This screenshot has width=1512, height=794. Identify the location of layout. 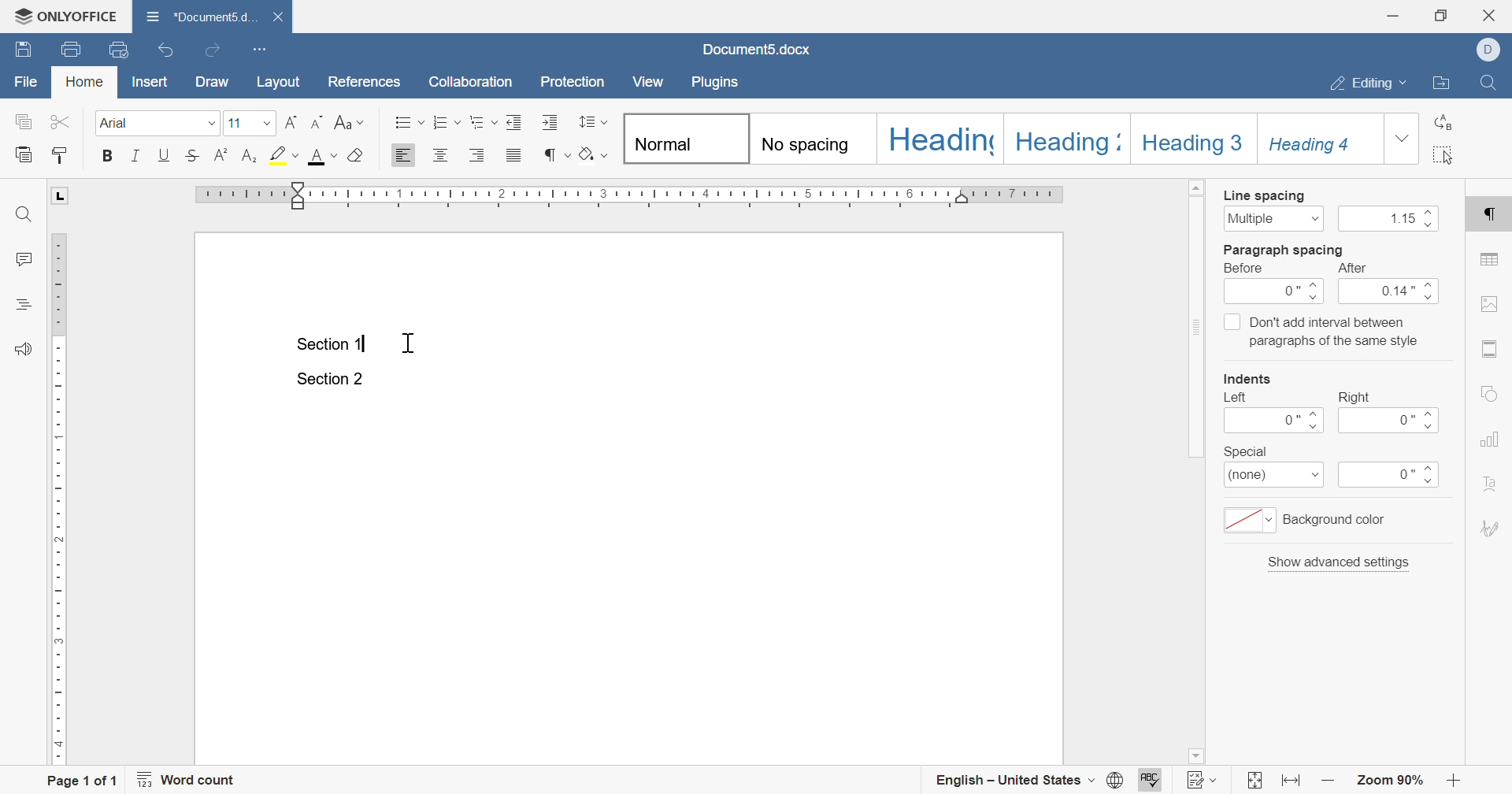
(277, 84).